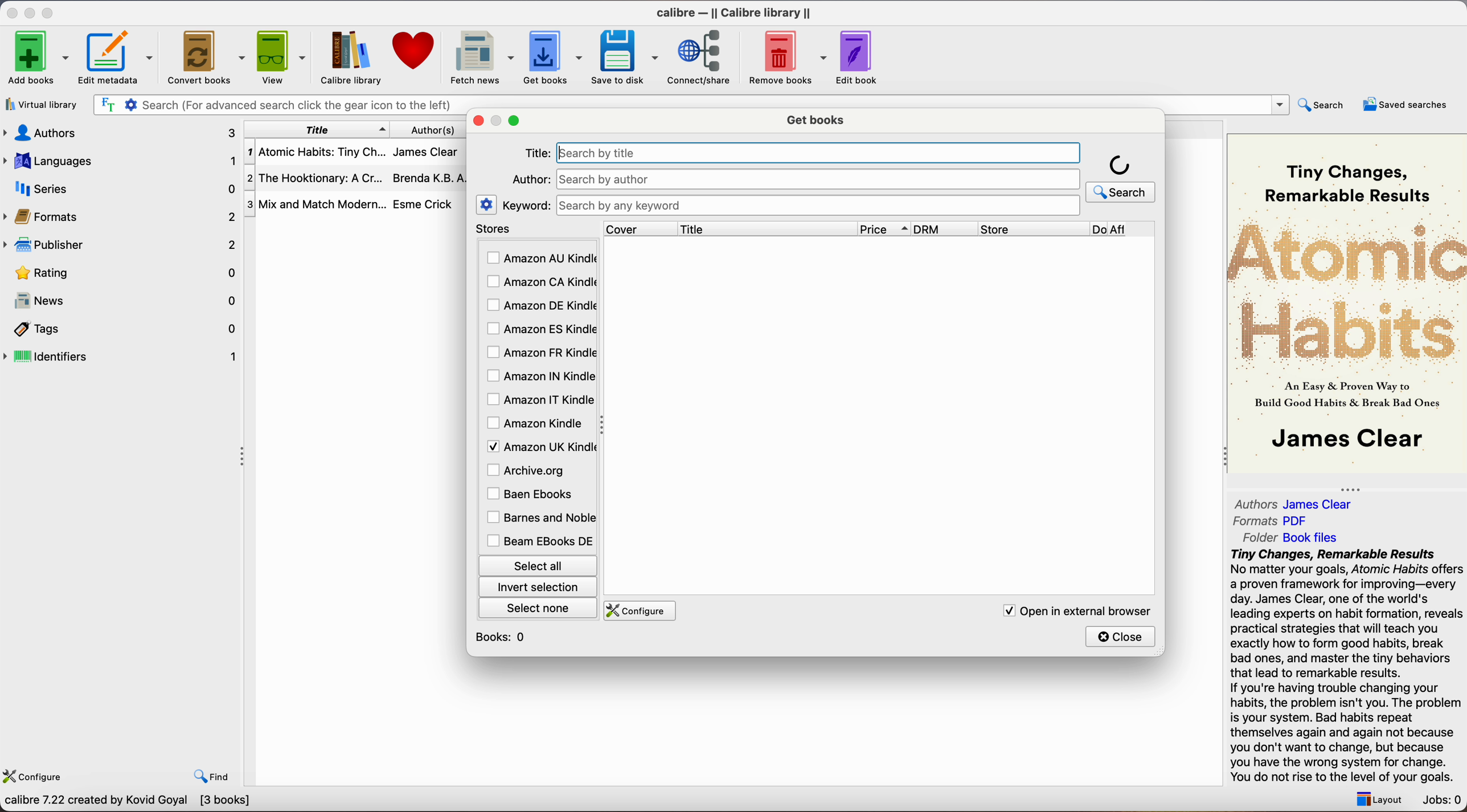 The height and width of the screenshot is (812, 1467). What do you see at coordinates (208, 59) in the screenshot?
I see `convert books` at bounding box center [208, 59].